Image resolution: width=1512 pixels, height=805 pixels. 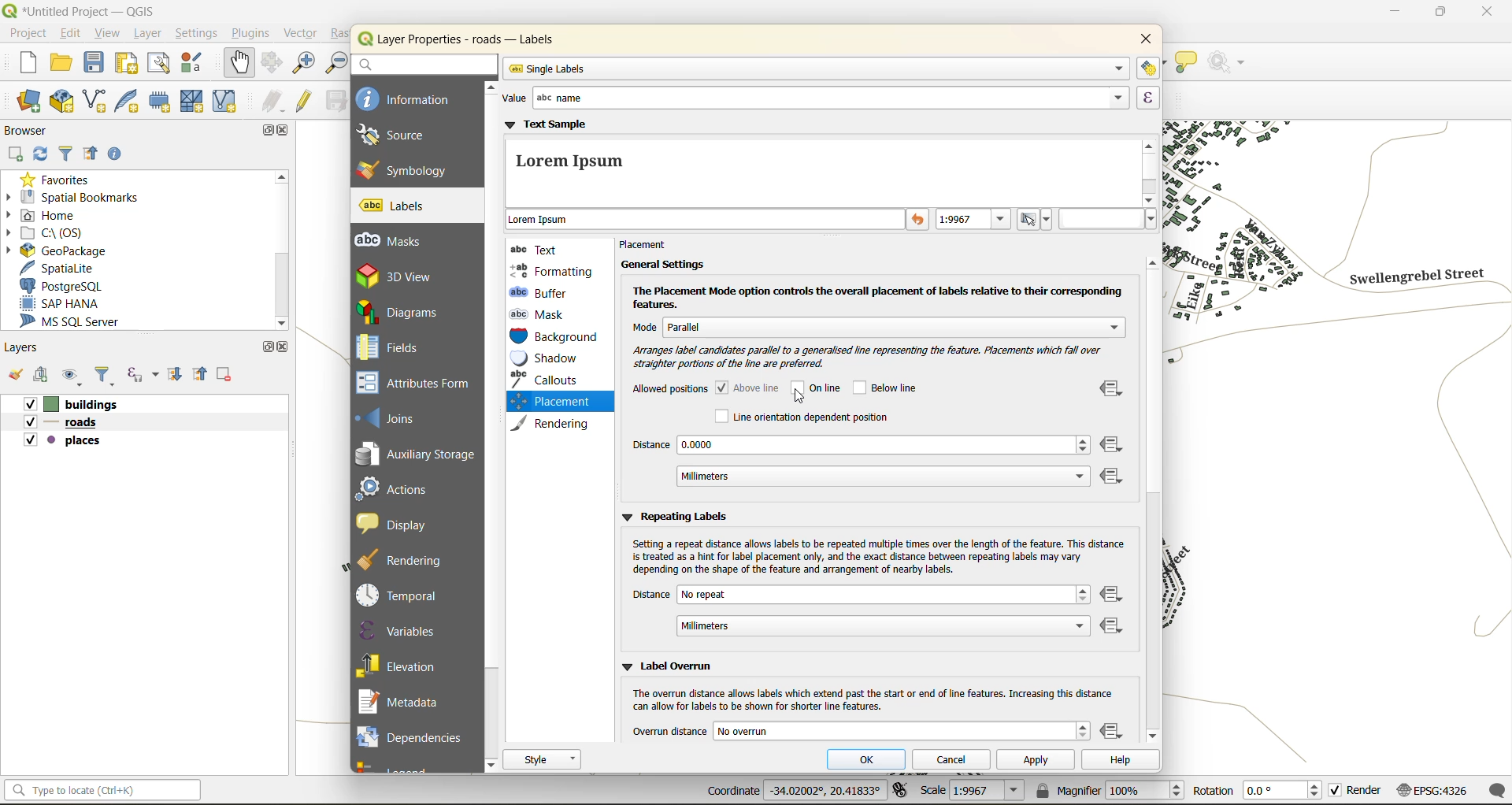 What do you see at coordinates (61, 304) in the screenshot?
I see `sap hana` at bounding box center [61, 304].